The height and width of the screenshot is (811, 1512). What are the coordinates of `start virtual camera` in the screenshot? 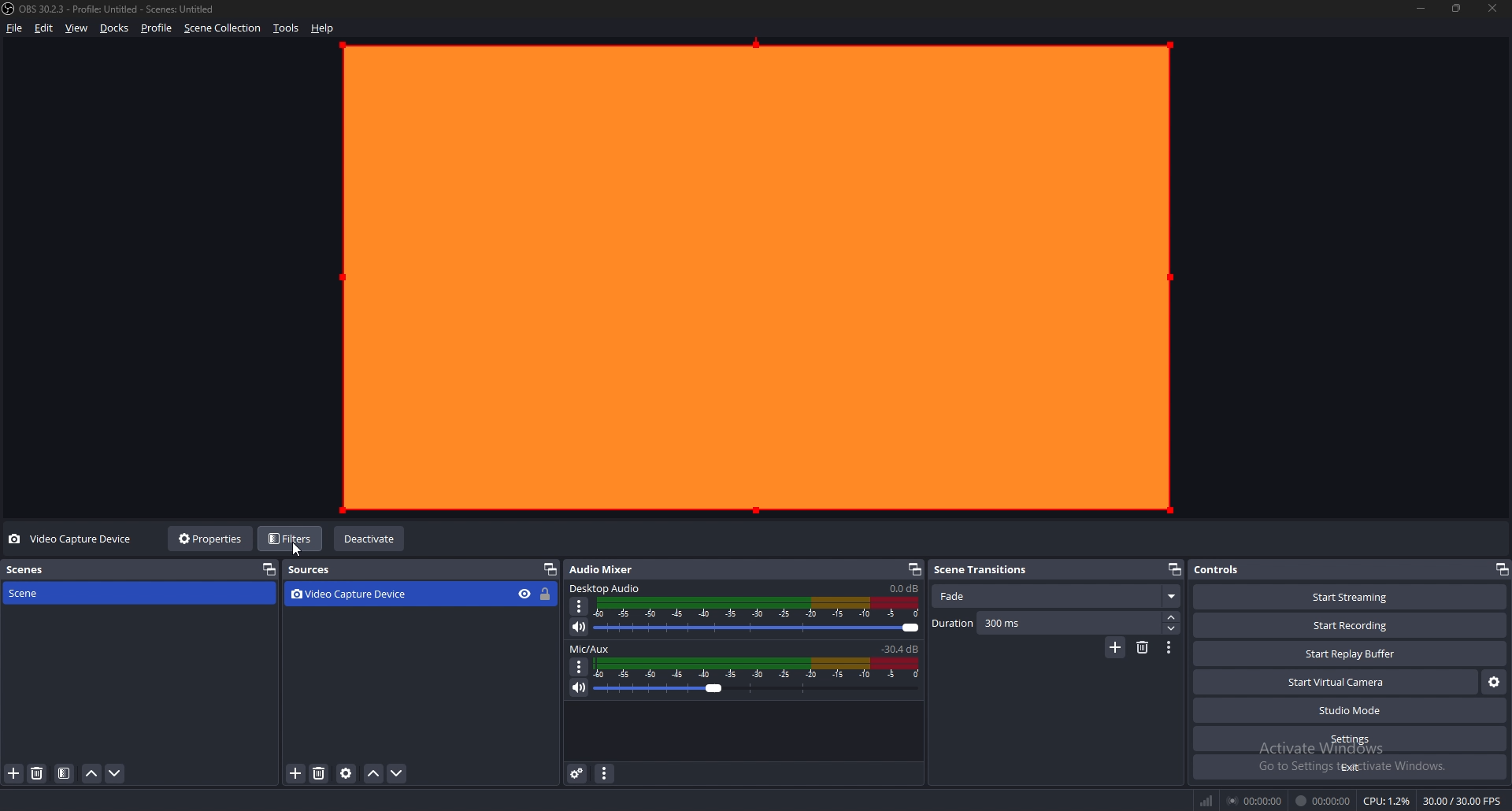 It's located at (1336, 682).